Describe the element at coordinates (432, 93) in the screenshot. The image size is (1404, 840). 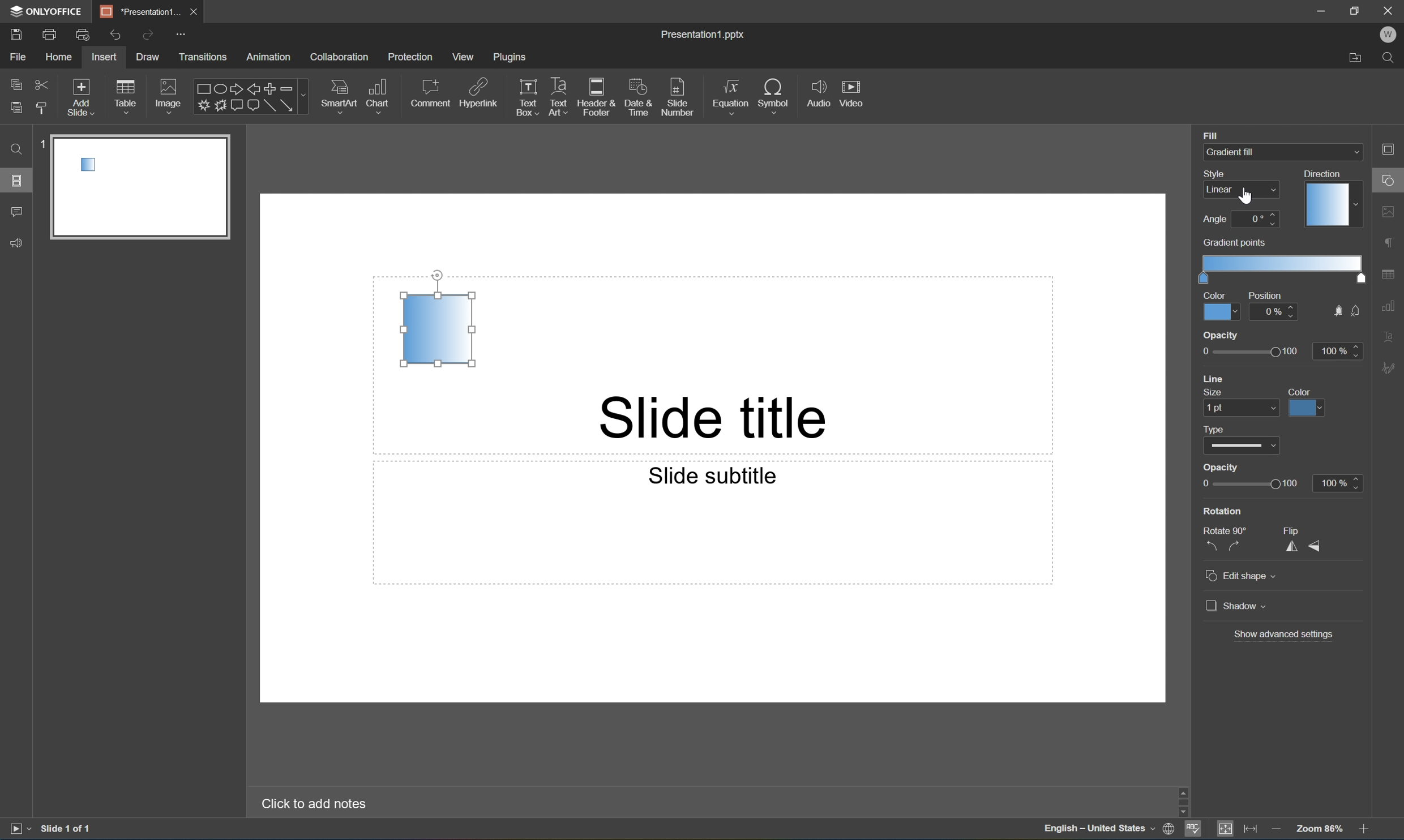
I see `Comment` at that location.